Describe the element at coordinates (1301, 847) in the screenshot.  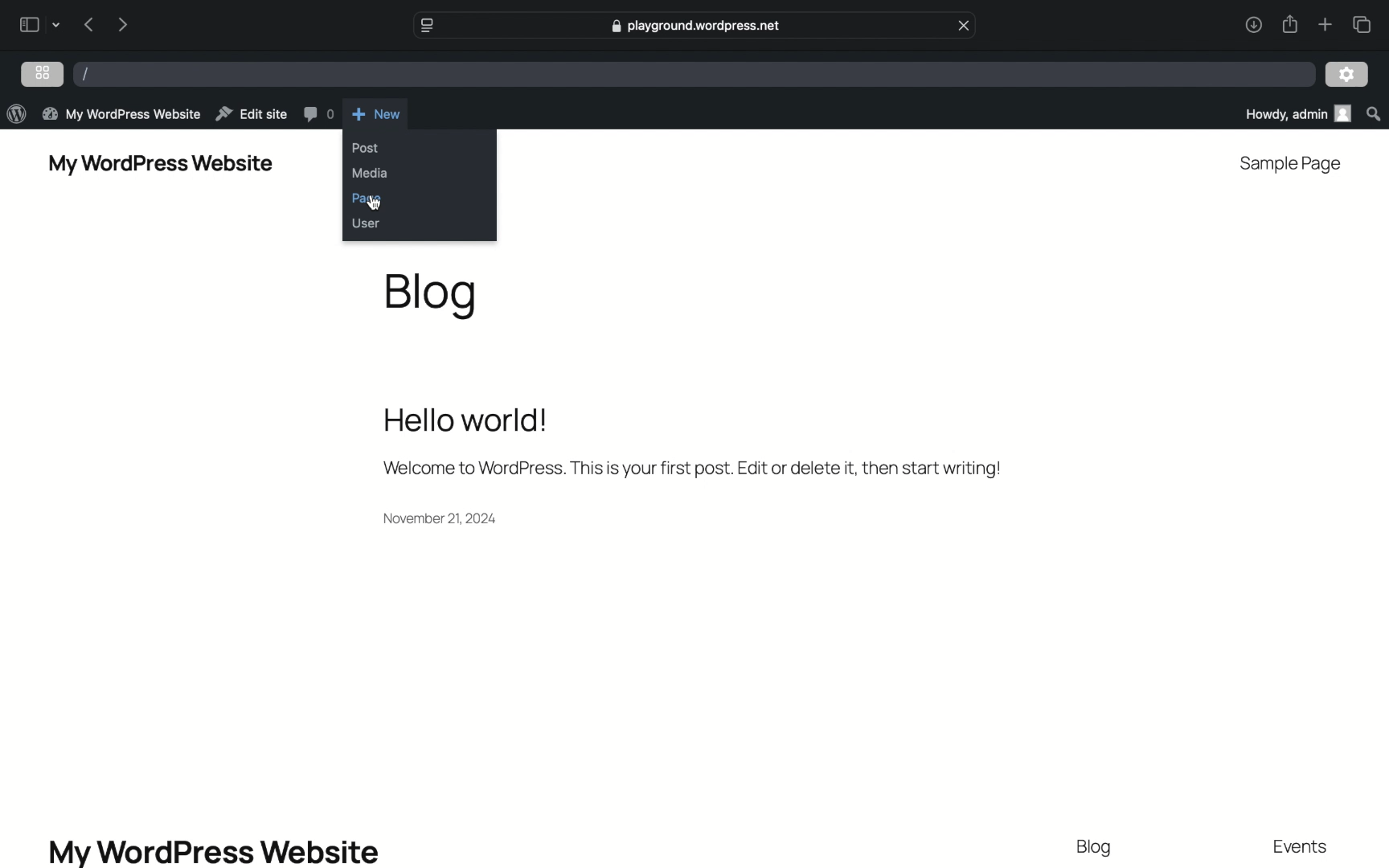
I see `events` at that location.